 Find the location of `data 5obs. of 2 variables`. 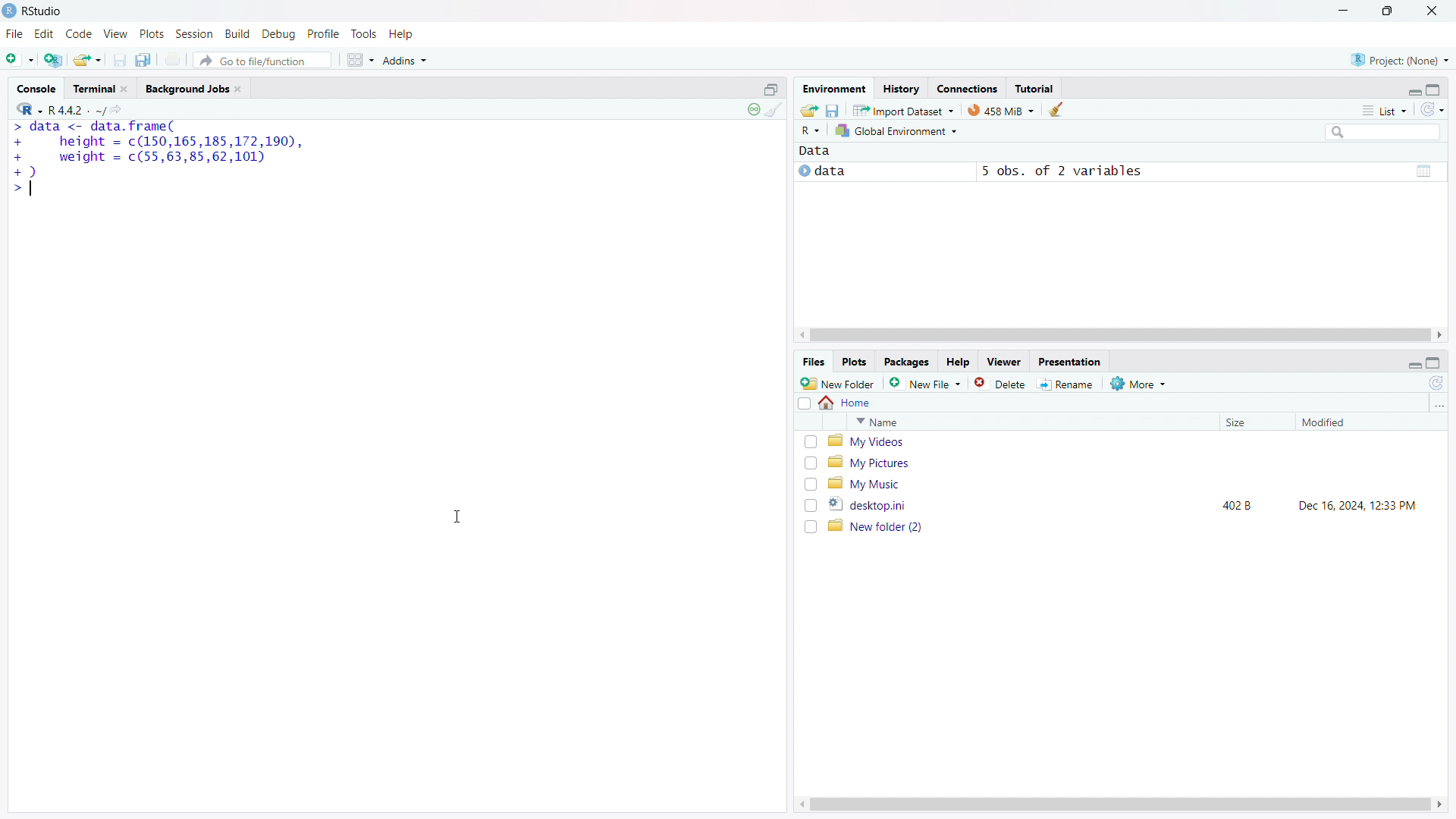

data 5obs. of 2 variables is located at coordinates (1119, 173).